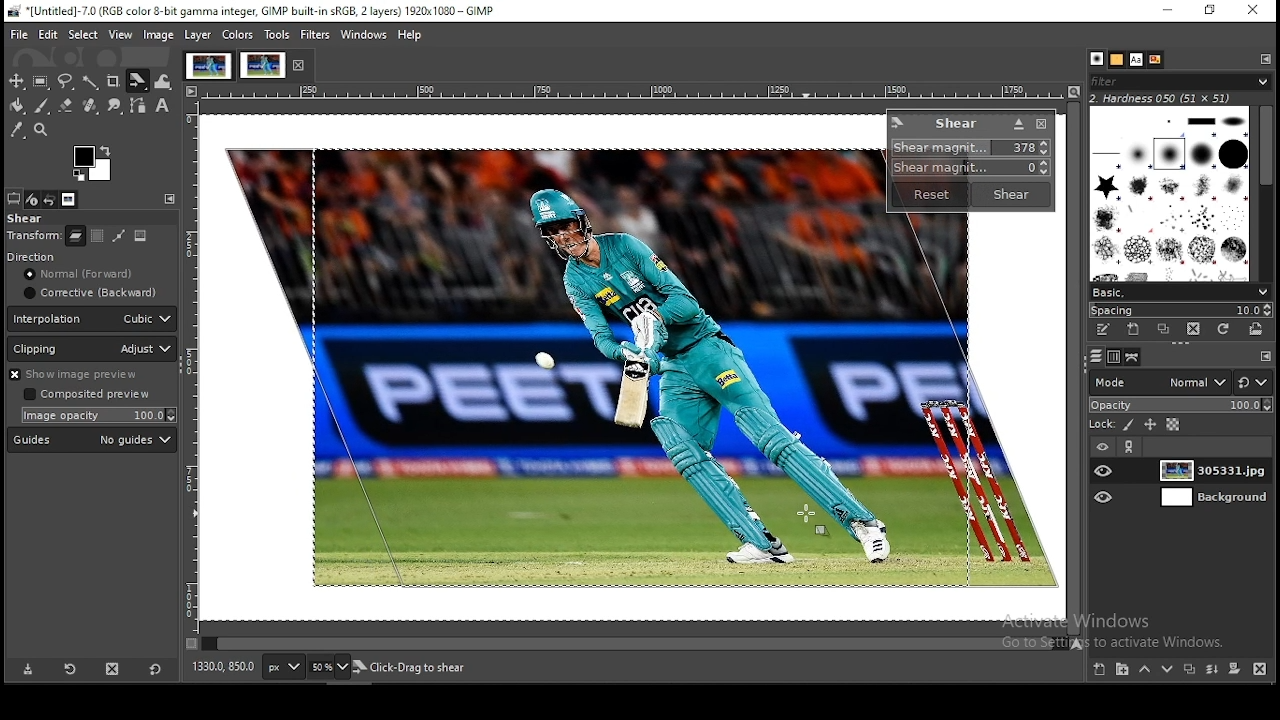  Describe the element at coordinates (1099, 670) in the screenshot. I see `new layer` at that location.